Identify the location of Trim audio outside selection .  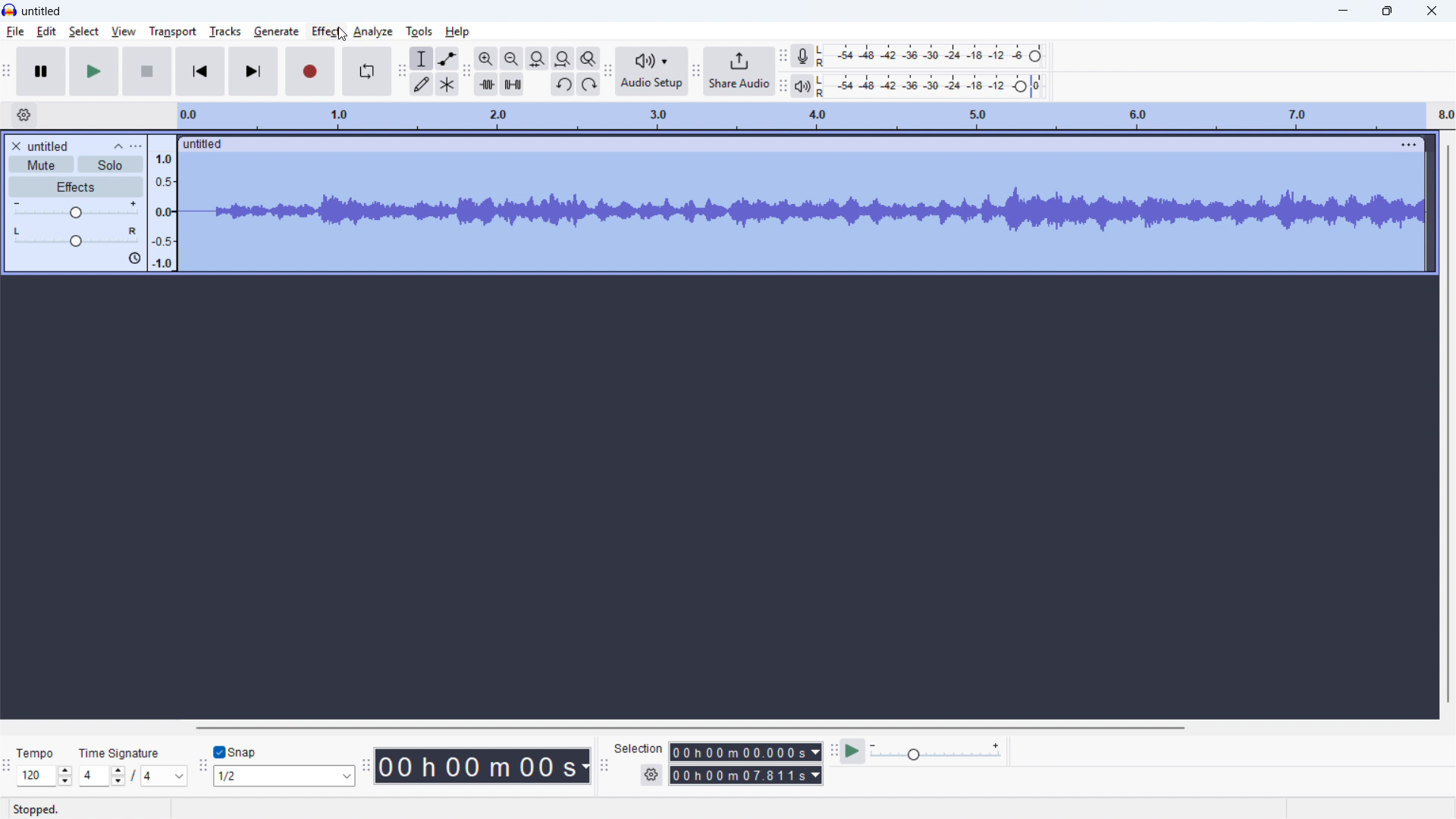
(486, 85).